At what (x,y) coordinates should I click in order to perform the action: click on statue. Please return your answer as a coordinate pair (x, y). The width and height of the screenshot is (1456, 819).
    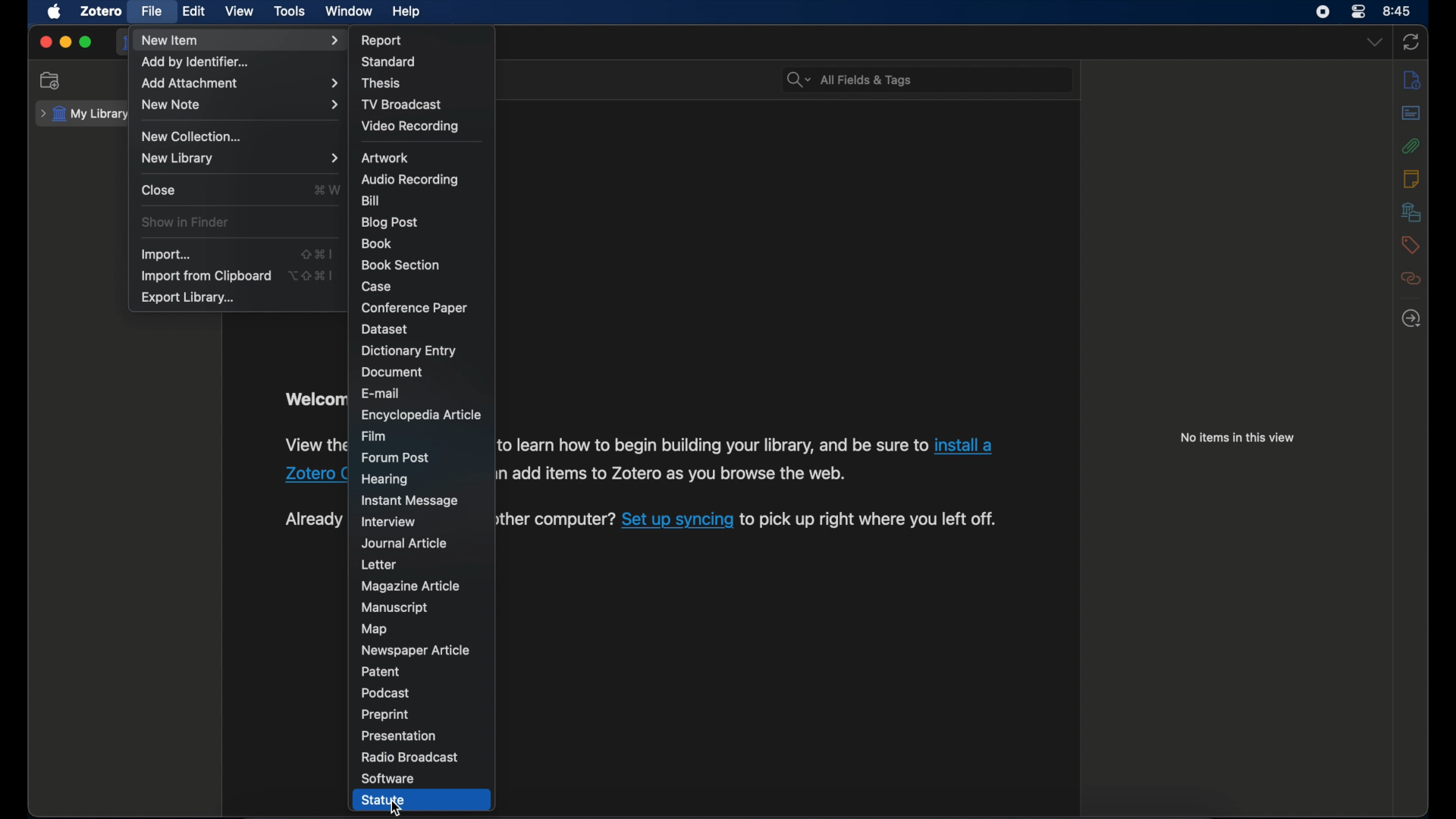
    Looking at the image, I should click on (384, 800).